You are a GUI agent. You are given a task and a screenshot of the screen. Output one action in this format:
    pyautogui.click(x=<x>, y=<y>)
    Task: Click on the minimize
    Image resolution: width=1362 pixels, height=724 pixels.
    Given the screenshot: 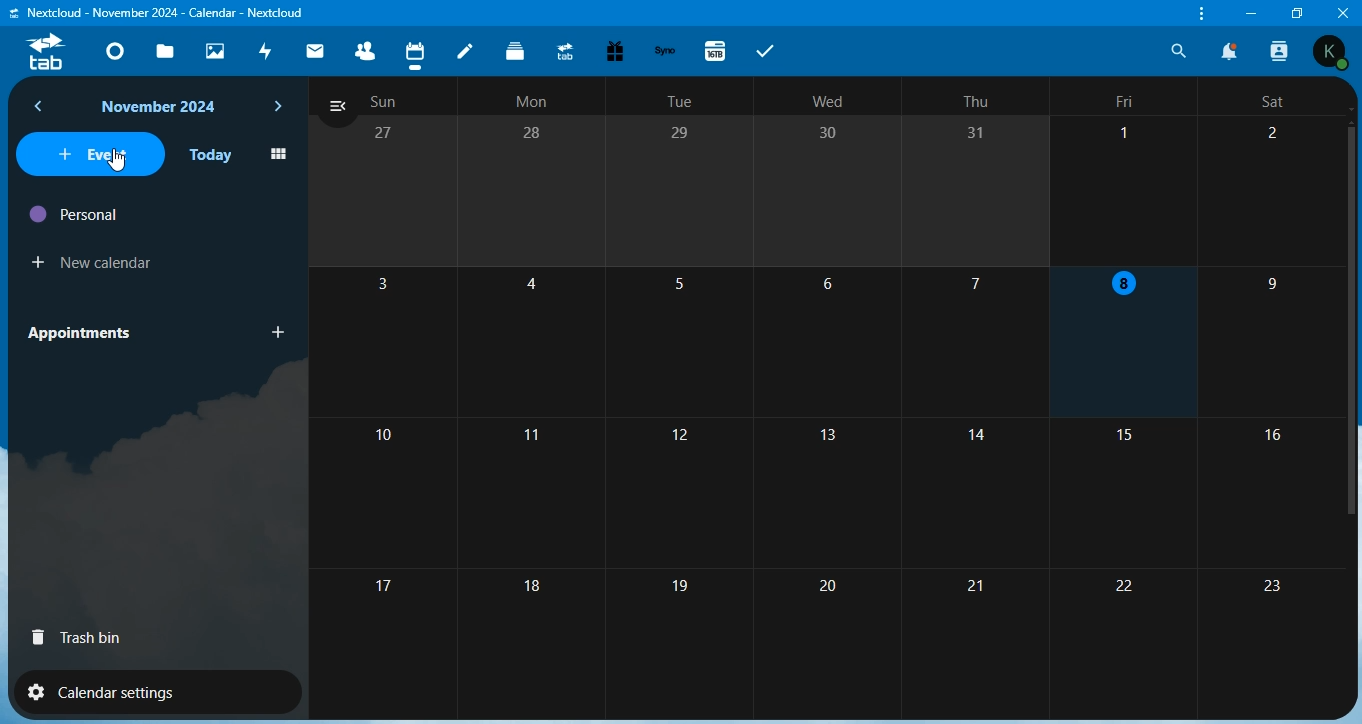 What is the action you would take?
    pyautogui.click(x=1254, y=15)
    